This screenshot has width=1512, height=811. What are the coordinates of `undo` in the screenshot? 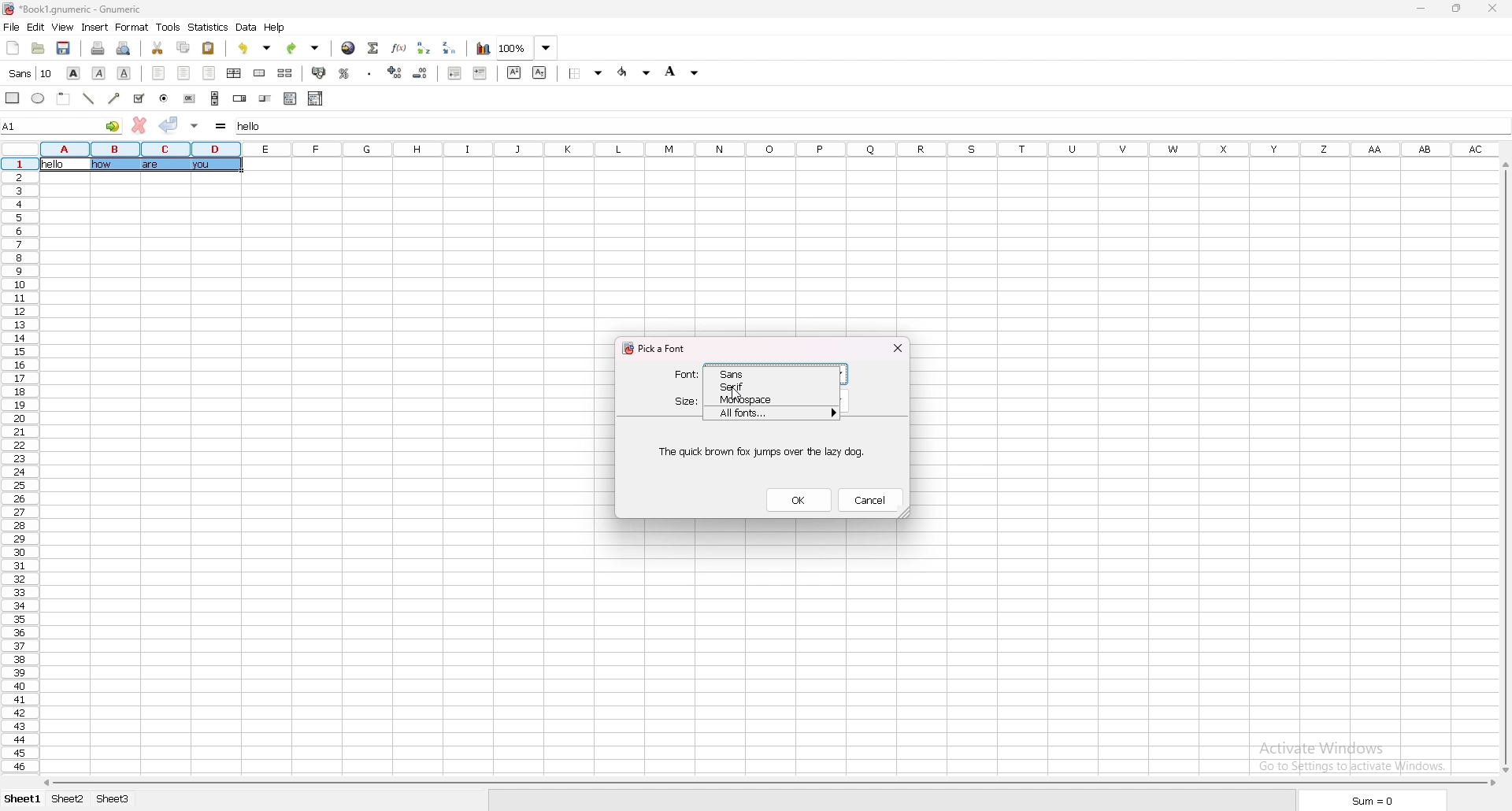 It's located at (257, 48).